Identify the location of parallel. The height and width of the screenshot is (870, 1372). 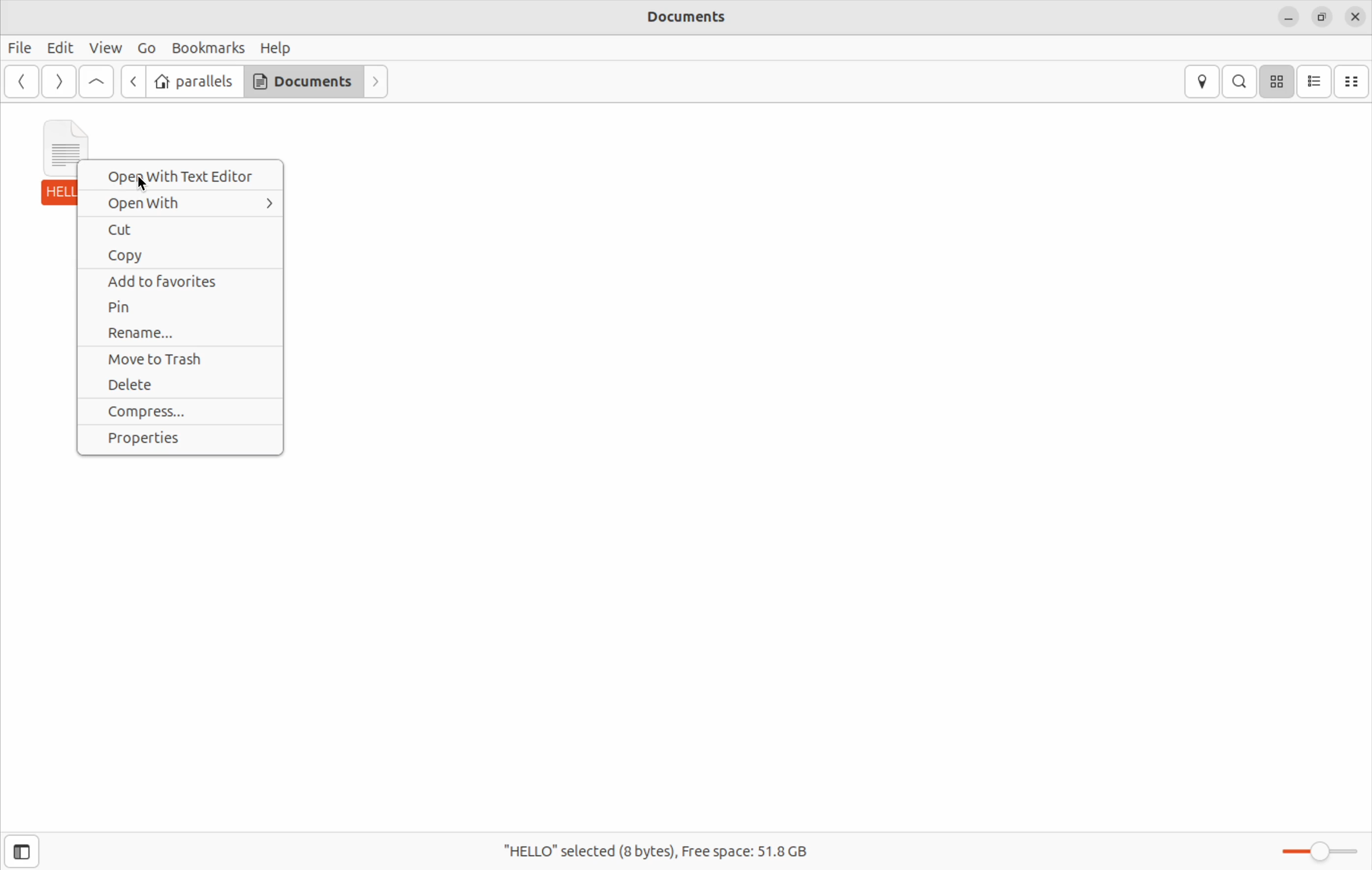
(193, 83).